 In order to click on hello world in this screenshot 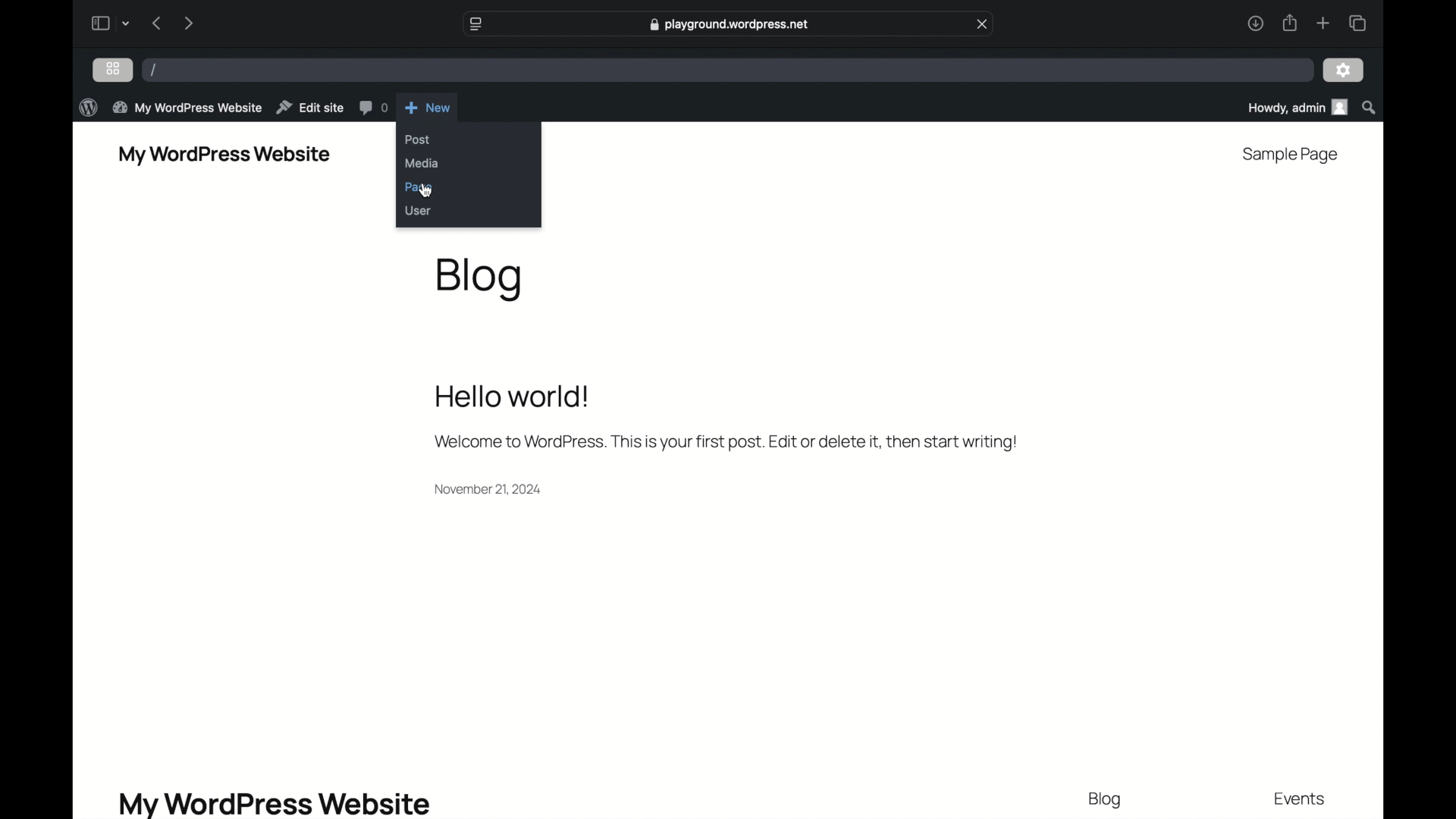, I will do `click(513, 397)`.